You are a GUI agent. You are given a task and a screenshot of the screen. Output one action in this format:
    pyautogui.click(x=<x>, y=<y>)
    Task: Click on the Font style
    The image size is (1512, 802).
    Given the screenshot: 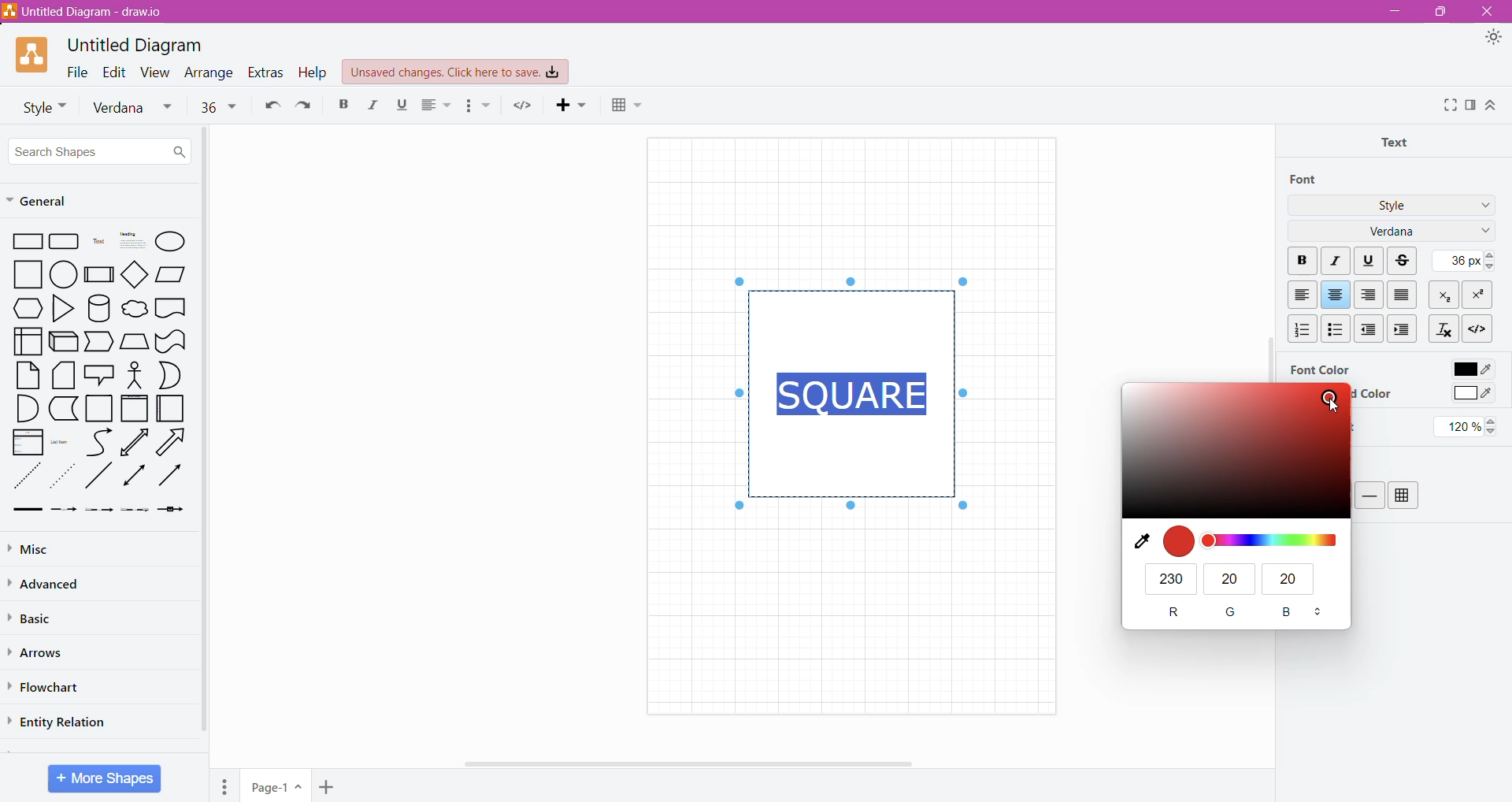 What is the action you would take?
    pyautogui.click(x=39, y=106)
    